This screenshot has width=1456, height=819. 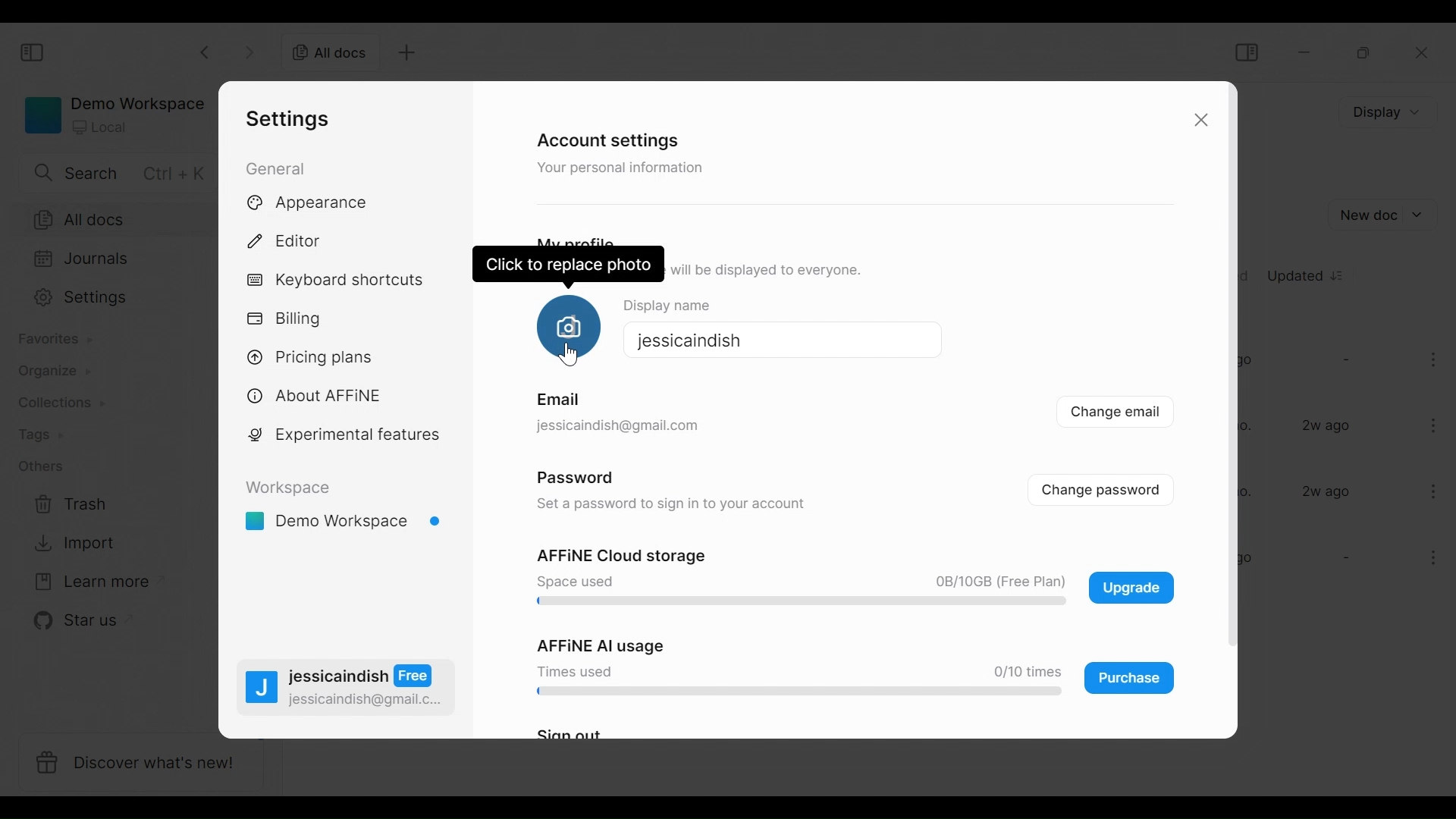 What do you see at coordinates (573, 581) in the screenshot?
I see `Space used` at bounding box center [573, 581].